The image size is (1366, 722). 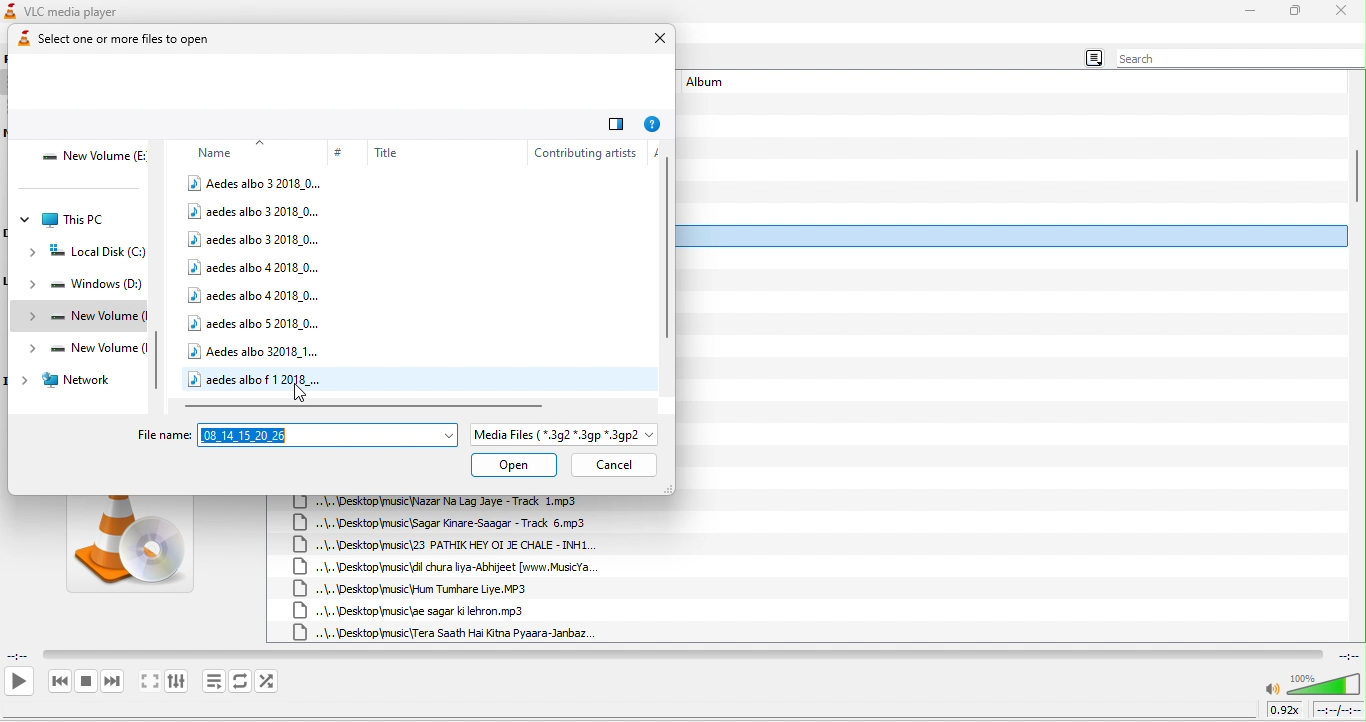 I want to click on vertical scroll bar, so click(x=1356, y=176).